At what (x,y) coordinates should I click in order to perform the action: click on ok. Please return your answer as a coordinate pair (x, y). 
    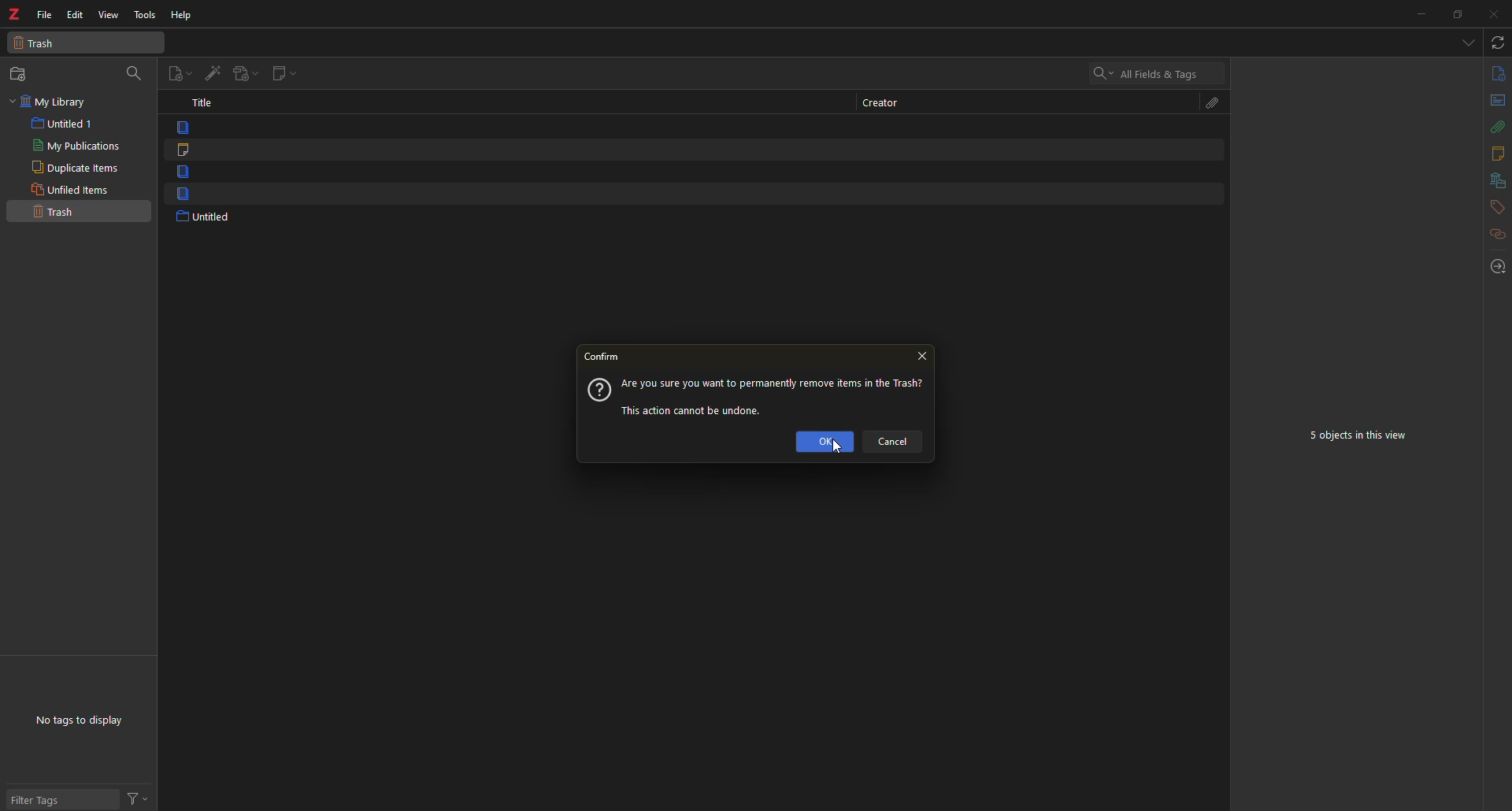
    Looking at the image, I should click on (825, 443).